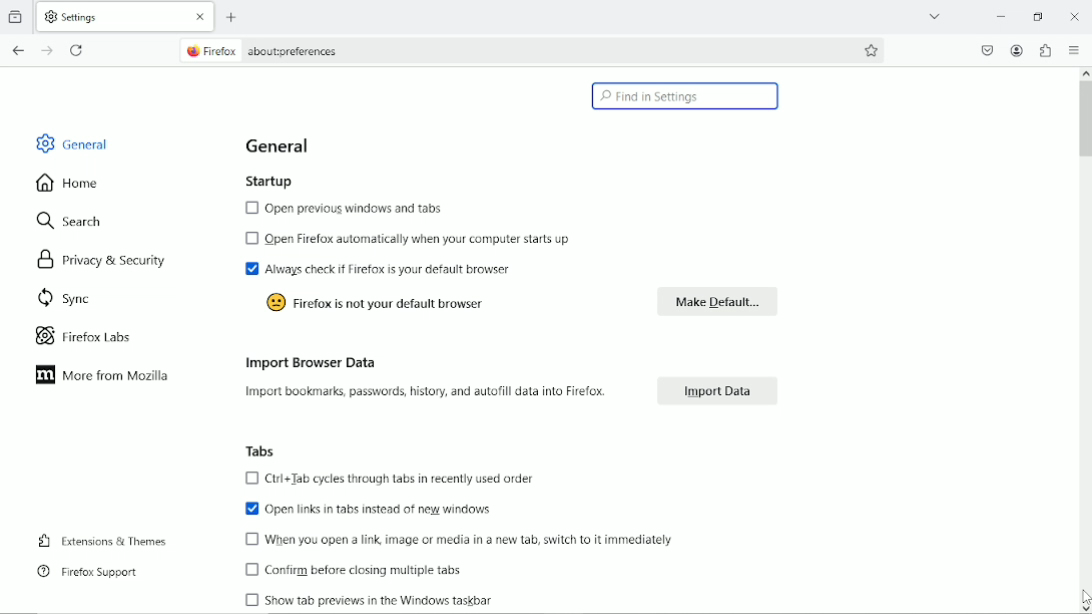  What do you see at coordinates (1039, 16) in the screenshot?
I see `restore down` at bounding box center [1039, 16].